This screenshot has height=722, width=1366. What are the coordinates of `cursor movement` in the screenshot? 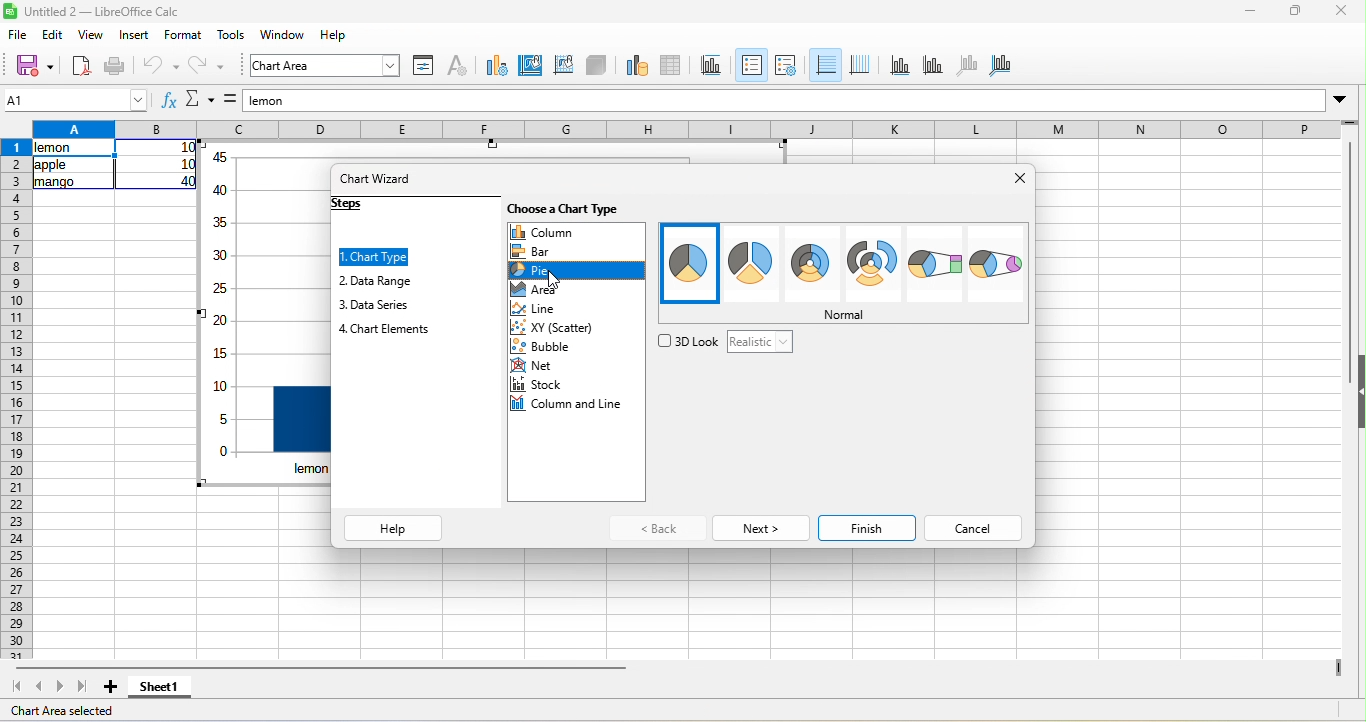 It's located at (555, 280).